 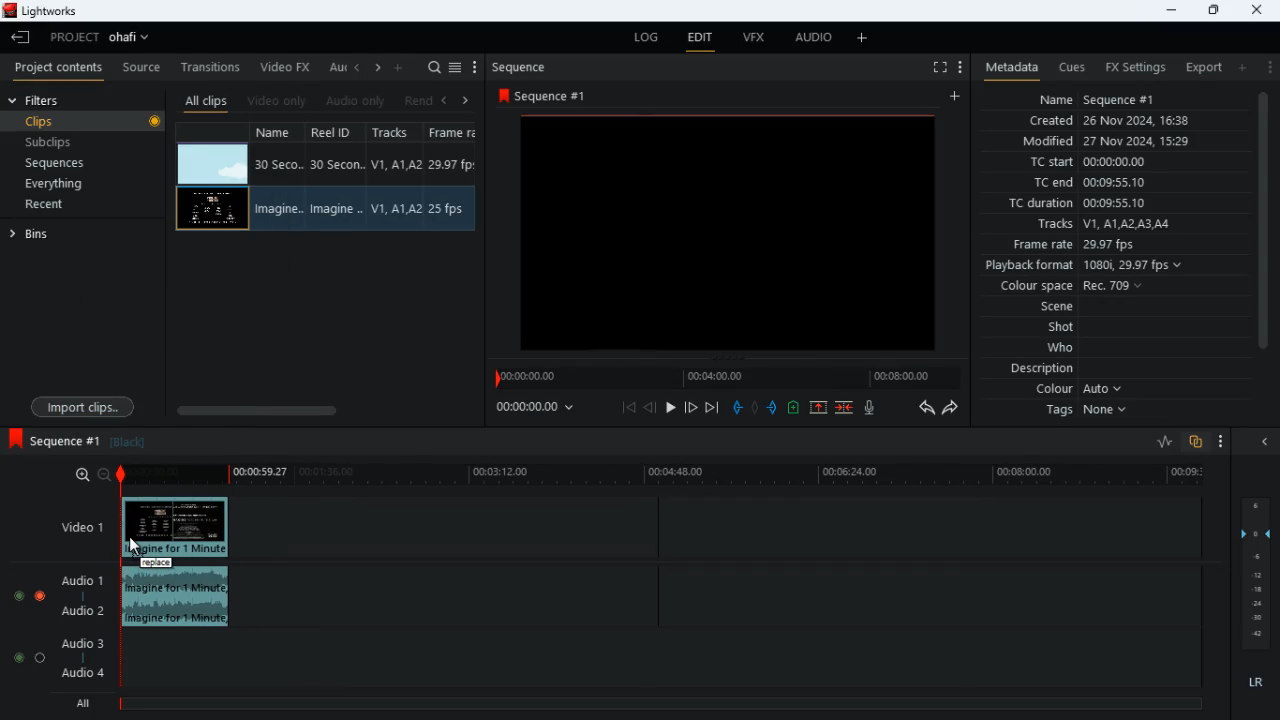 I want to click on playback format, so click(x=1090, y=267).